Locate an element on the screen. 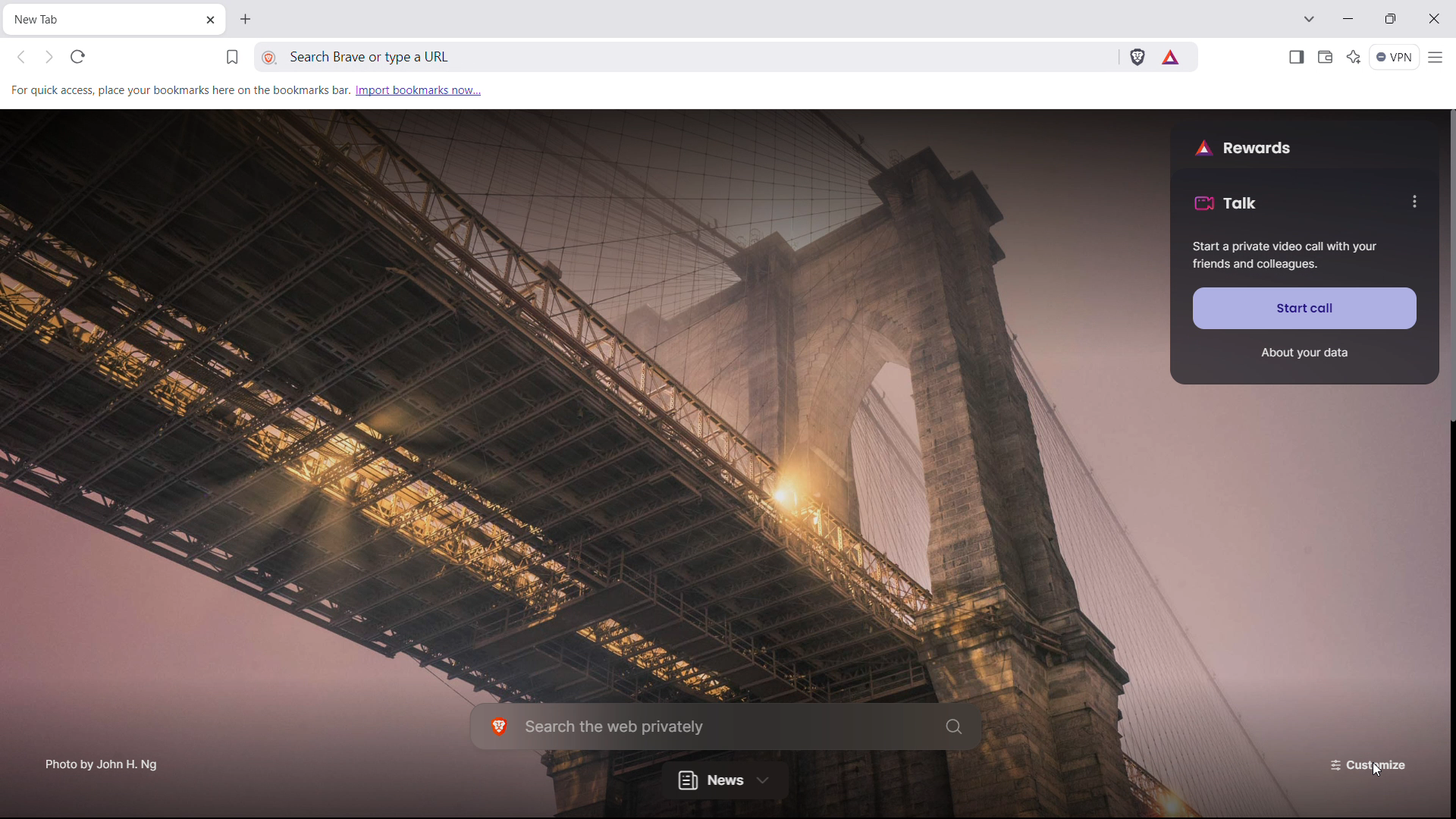 The height and width of the screenshot is (819, 1456). customize and control is located at coordinates (1437, 58).